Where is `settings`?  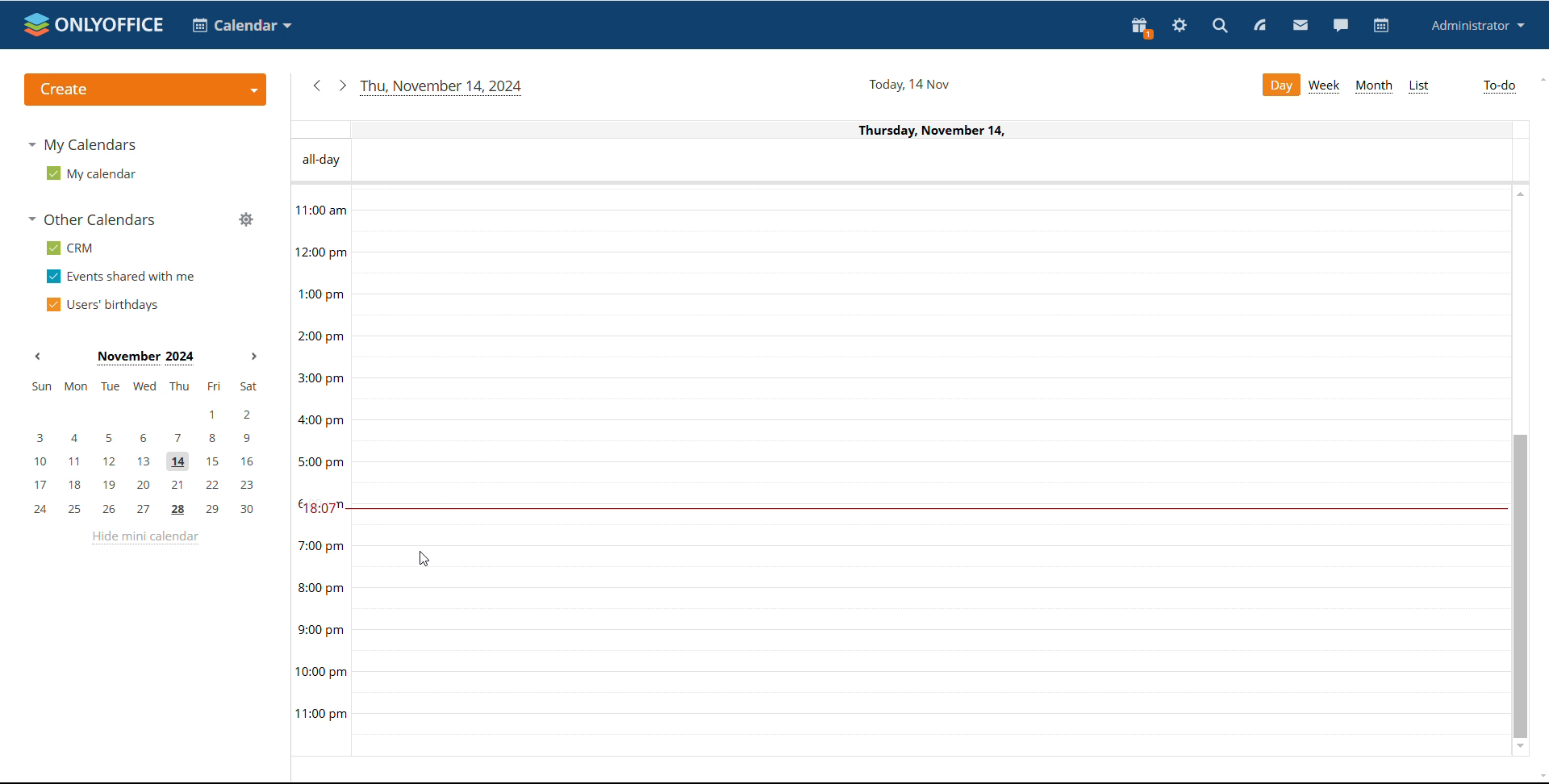
settings is located at coordinates (1179, 27).